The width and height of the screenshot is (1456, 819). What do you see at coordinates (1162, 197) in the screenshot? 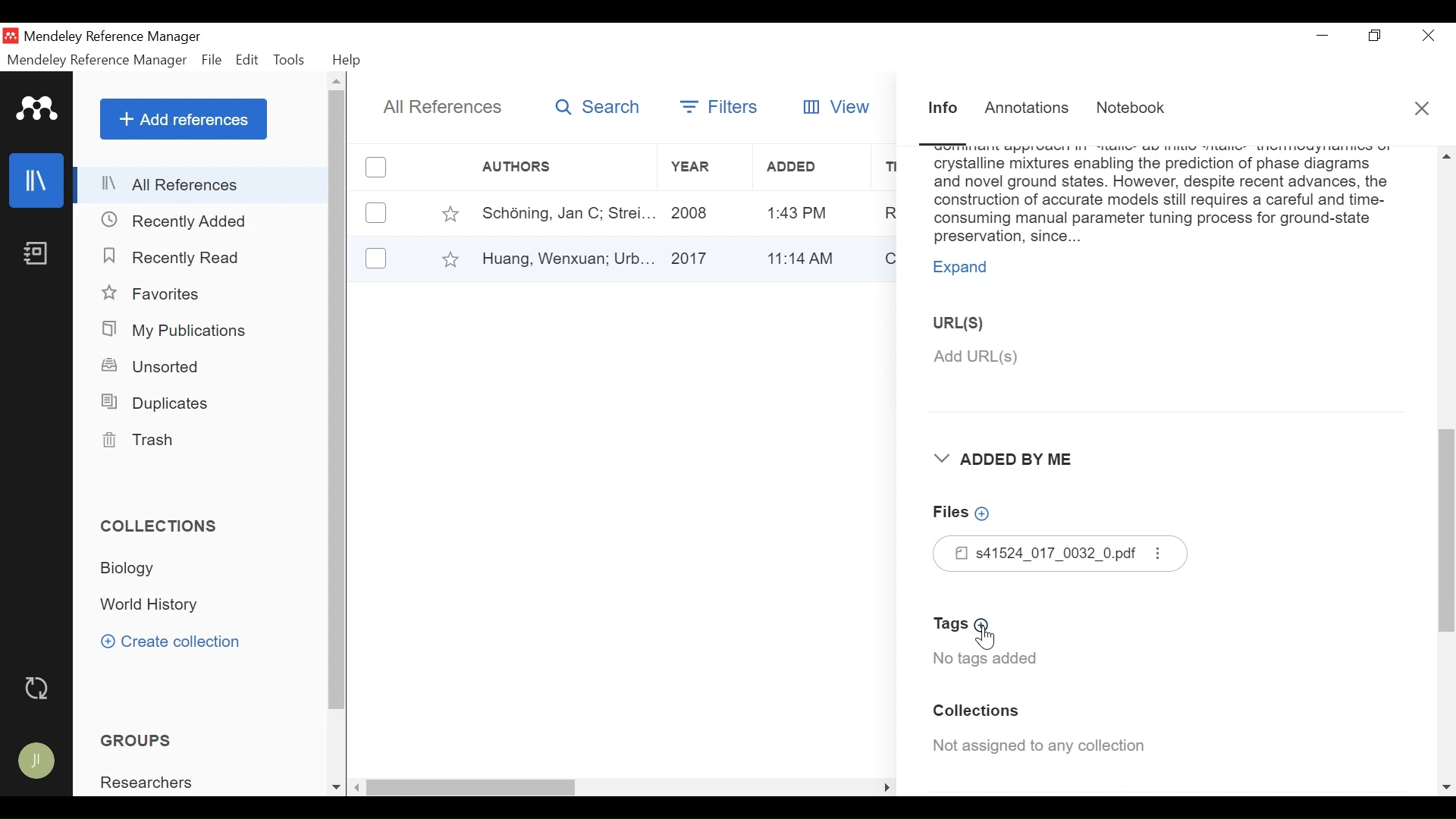
I see `Abstract` at bounding box center [1162, 197].